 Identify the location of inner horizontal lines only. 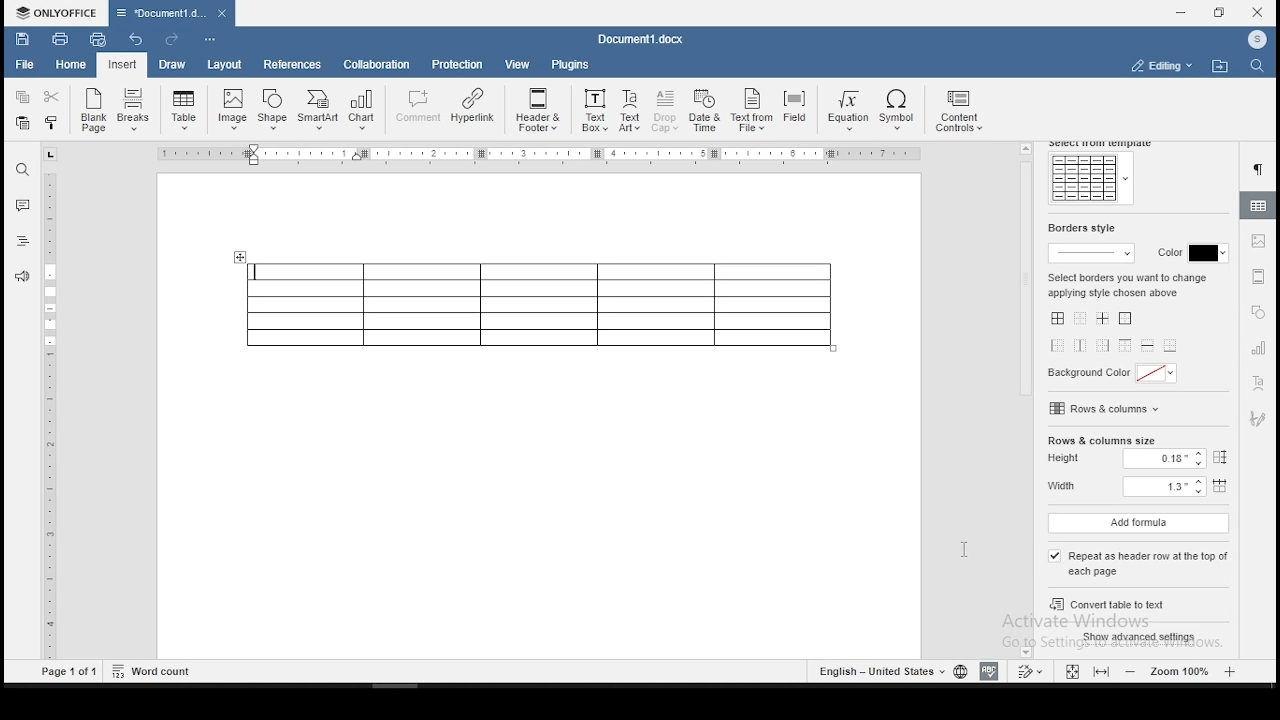
(1147, 347).